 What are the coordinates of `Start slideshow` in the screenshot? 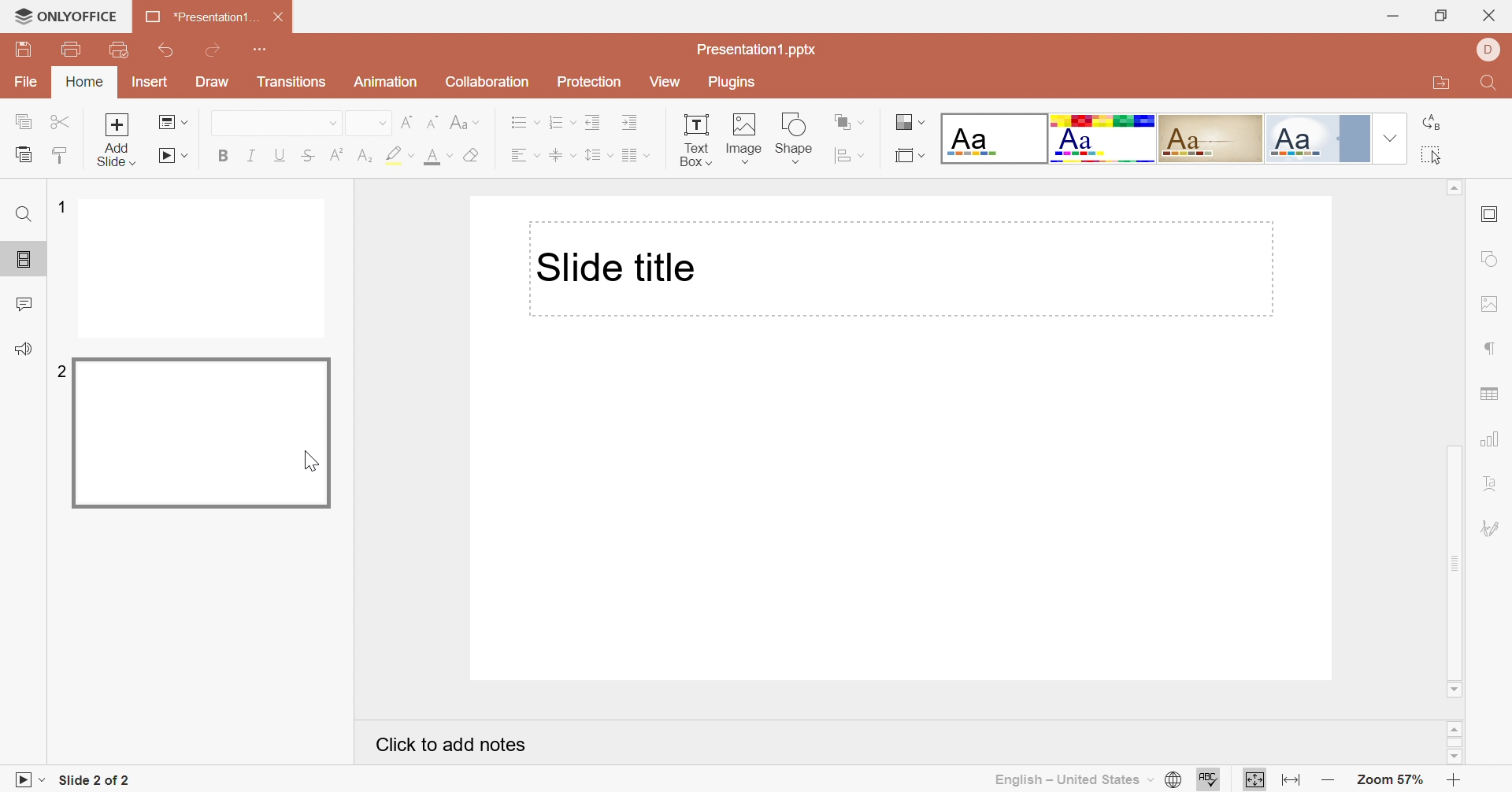 It's located at (28, 779).